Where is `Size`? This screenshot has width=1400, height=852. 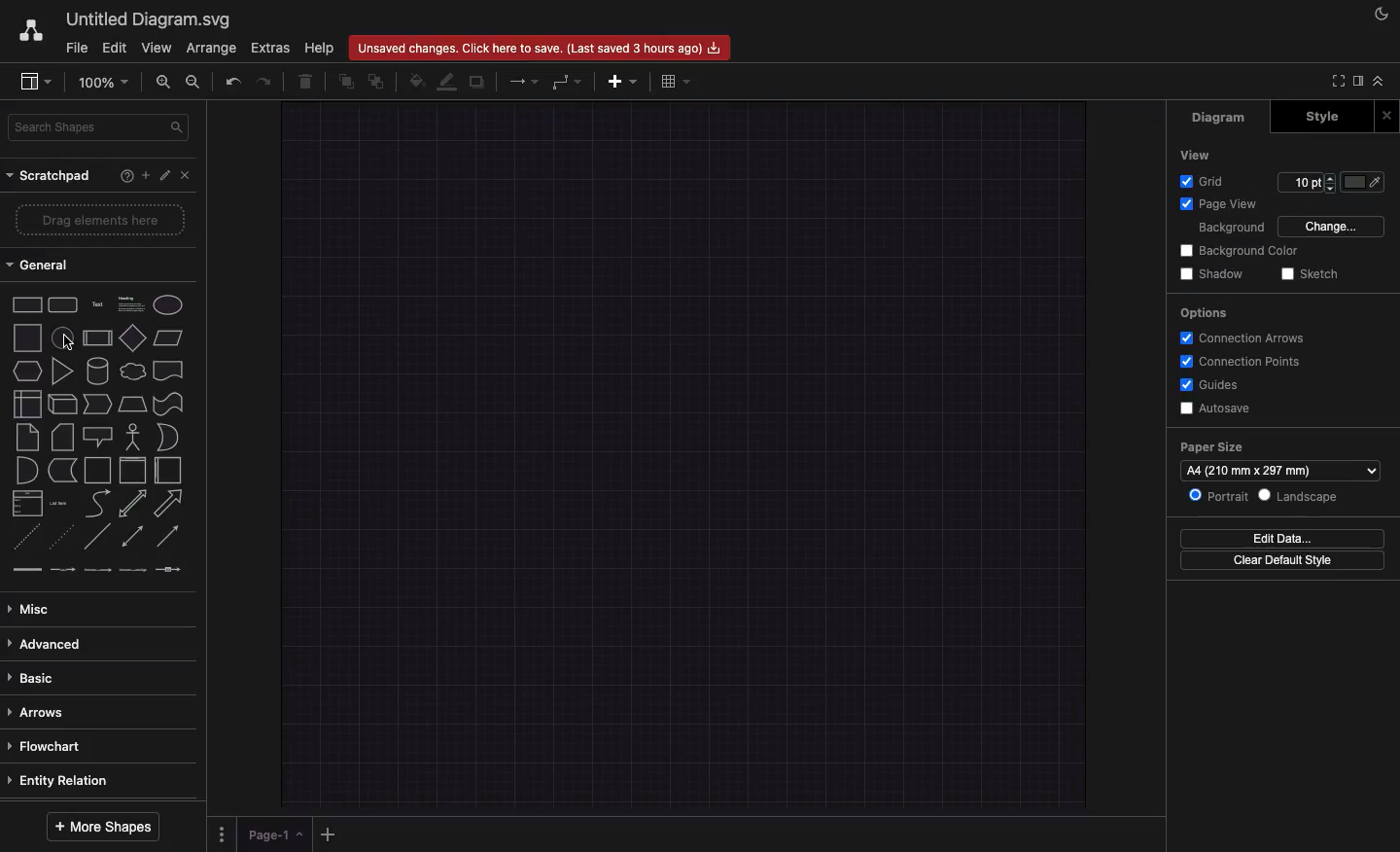
Size is located at coordinates (1306, 180).